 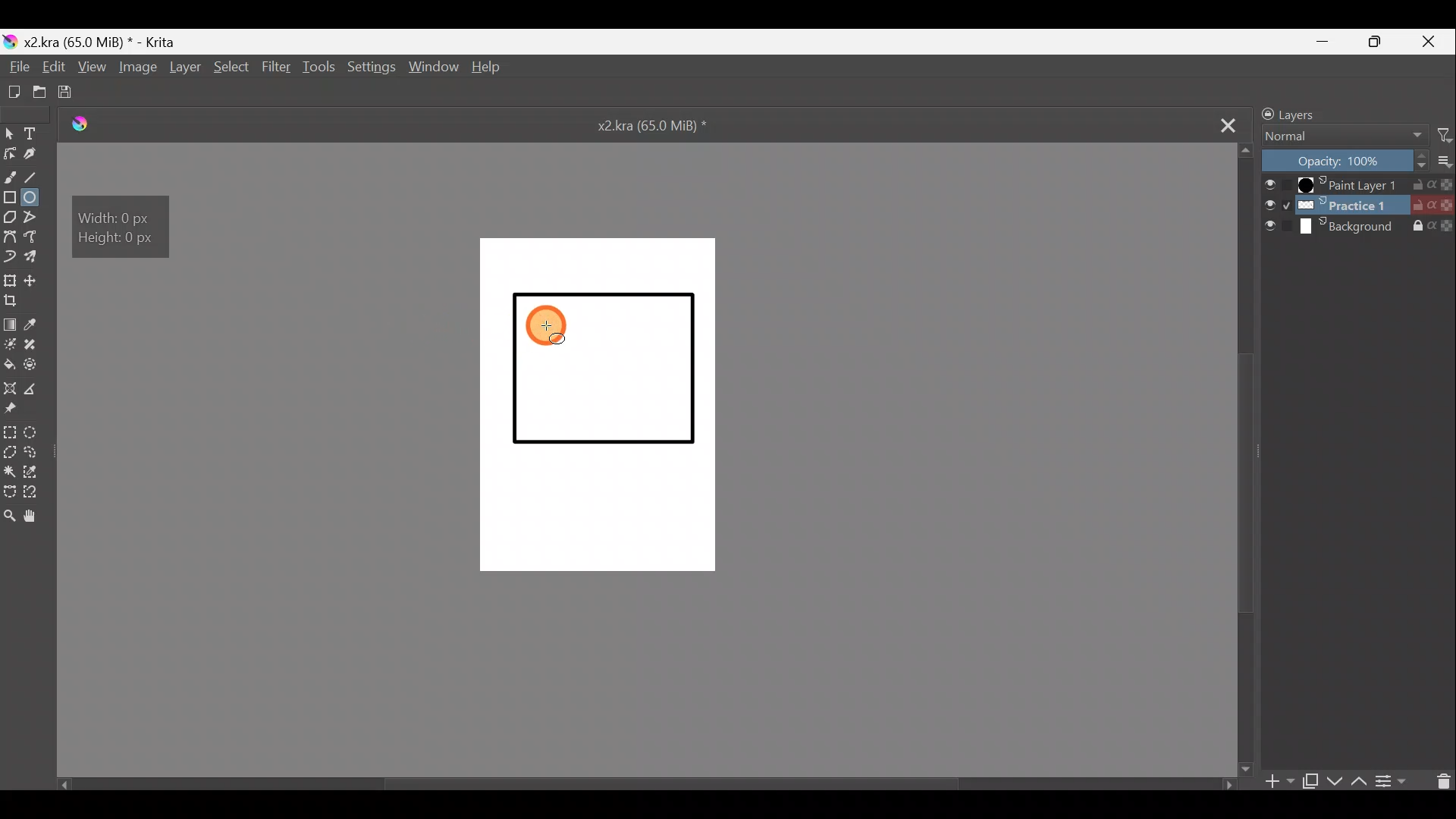 What do you see at coordinates (35, 388) in the screenshot?
I see `Measure distance between two points` at bounding box center [35, 388].